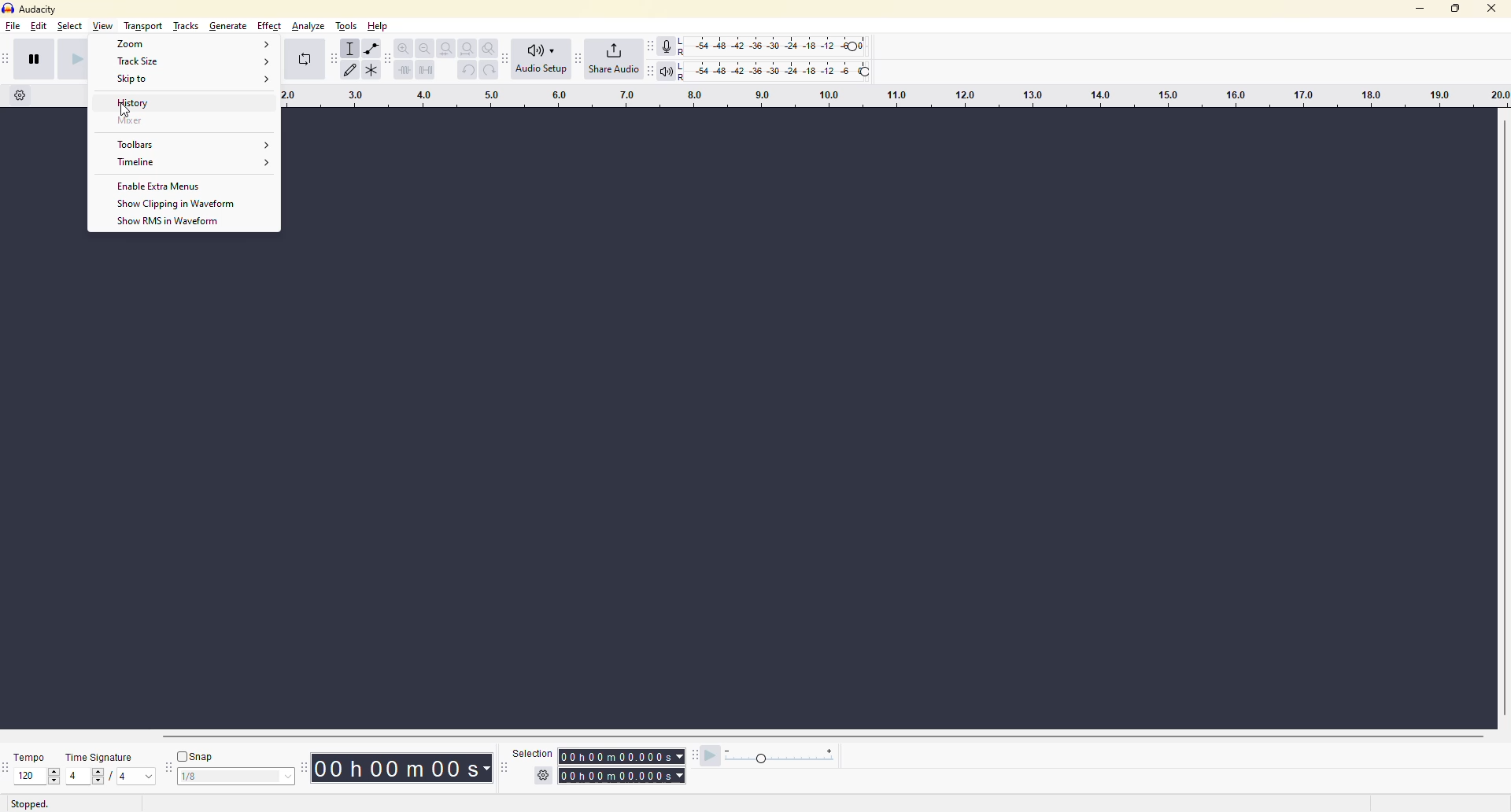  I want to click on analyze, so click(305, 30).